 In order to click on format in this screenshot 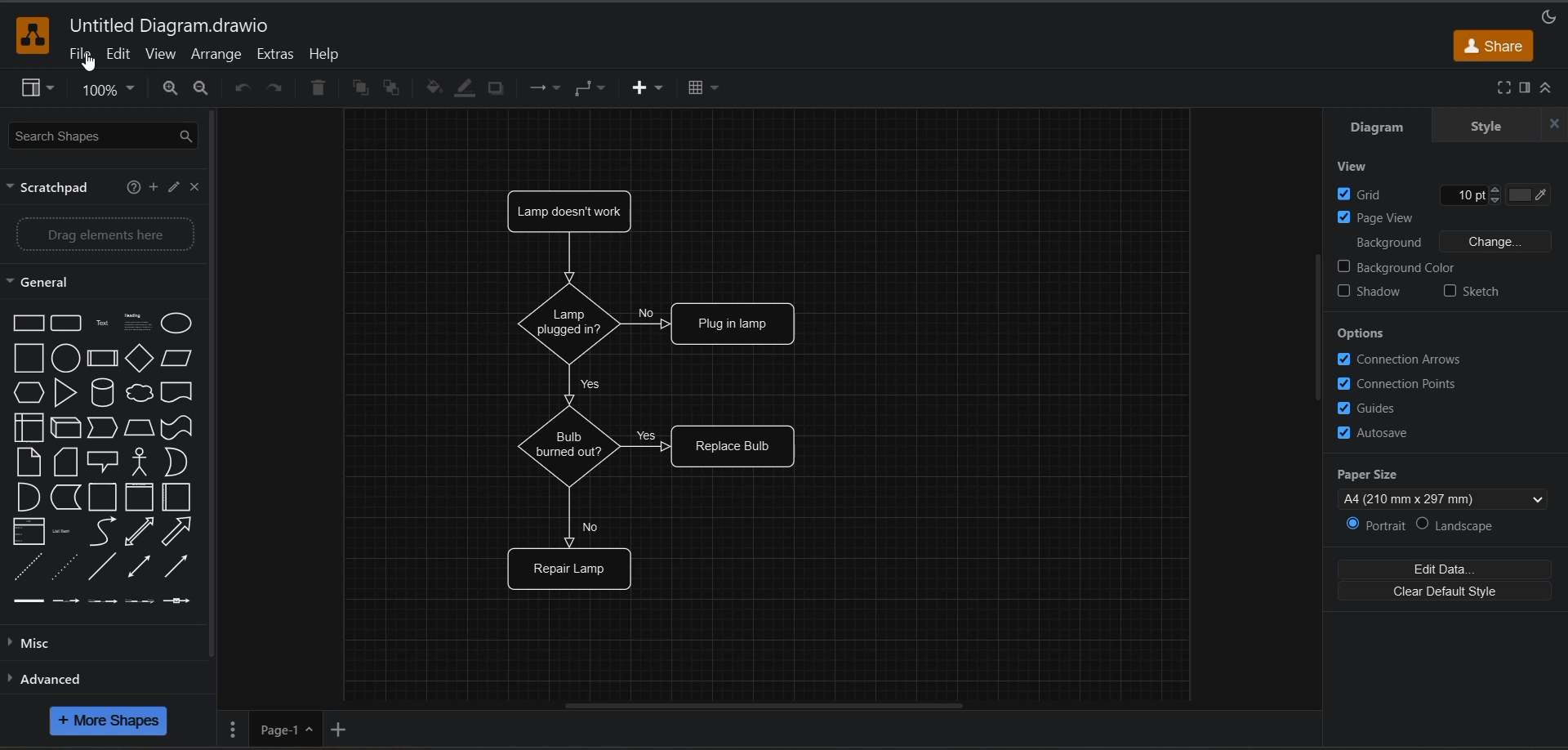, I will do `click(1528, 88)`.